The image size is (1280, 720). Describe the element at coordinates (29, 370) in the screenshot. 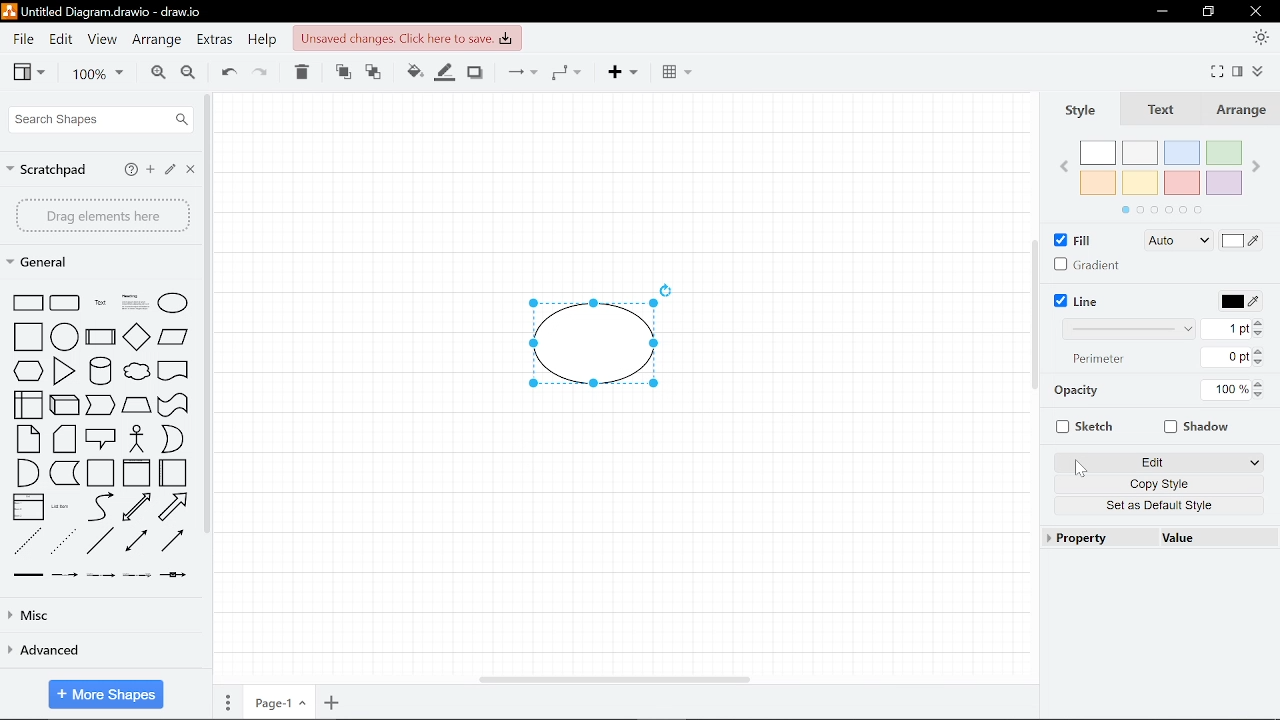

I see `hexagon` at that location.